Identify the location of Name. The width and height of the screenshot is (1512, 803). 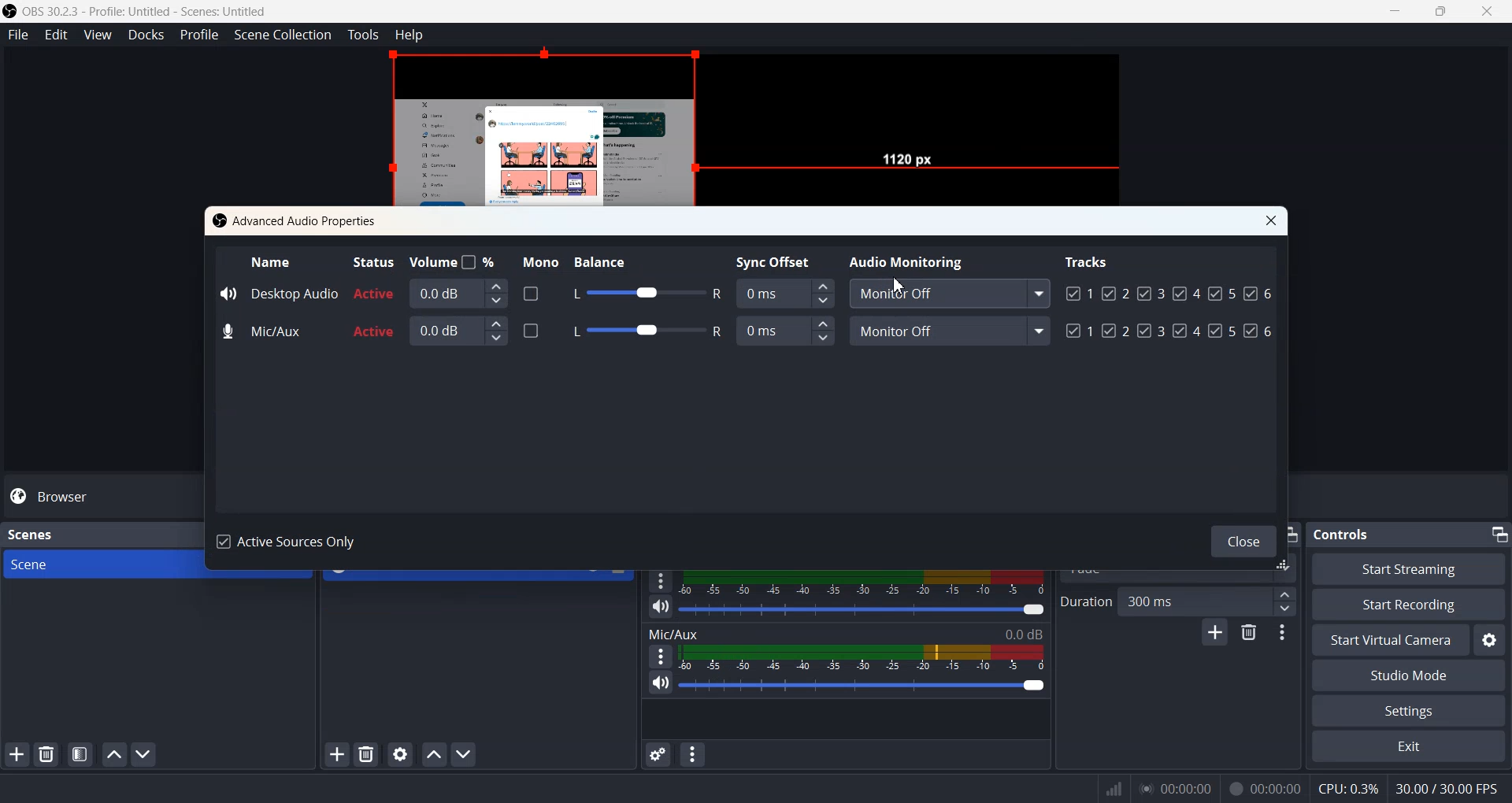
(272, 261).